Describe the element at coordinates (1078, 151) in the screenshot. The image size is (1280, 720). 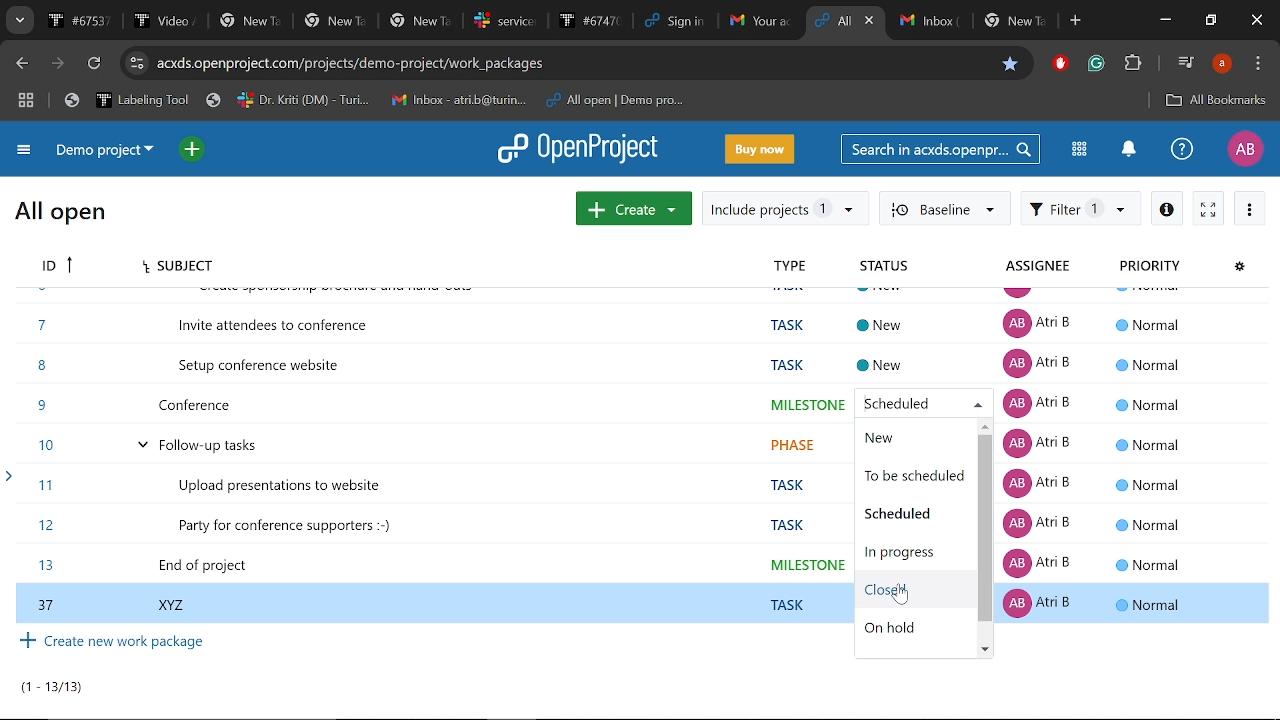
I see `Modules` at that location.